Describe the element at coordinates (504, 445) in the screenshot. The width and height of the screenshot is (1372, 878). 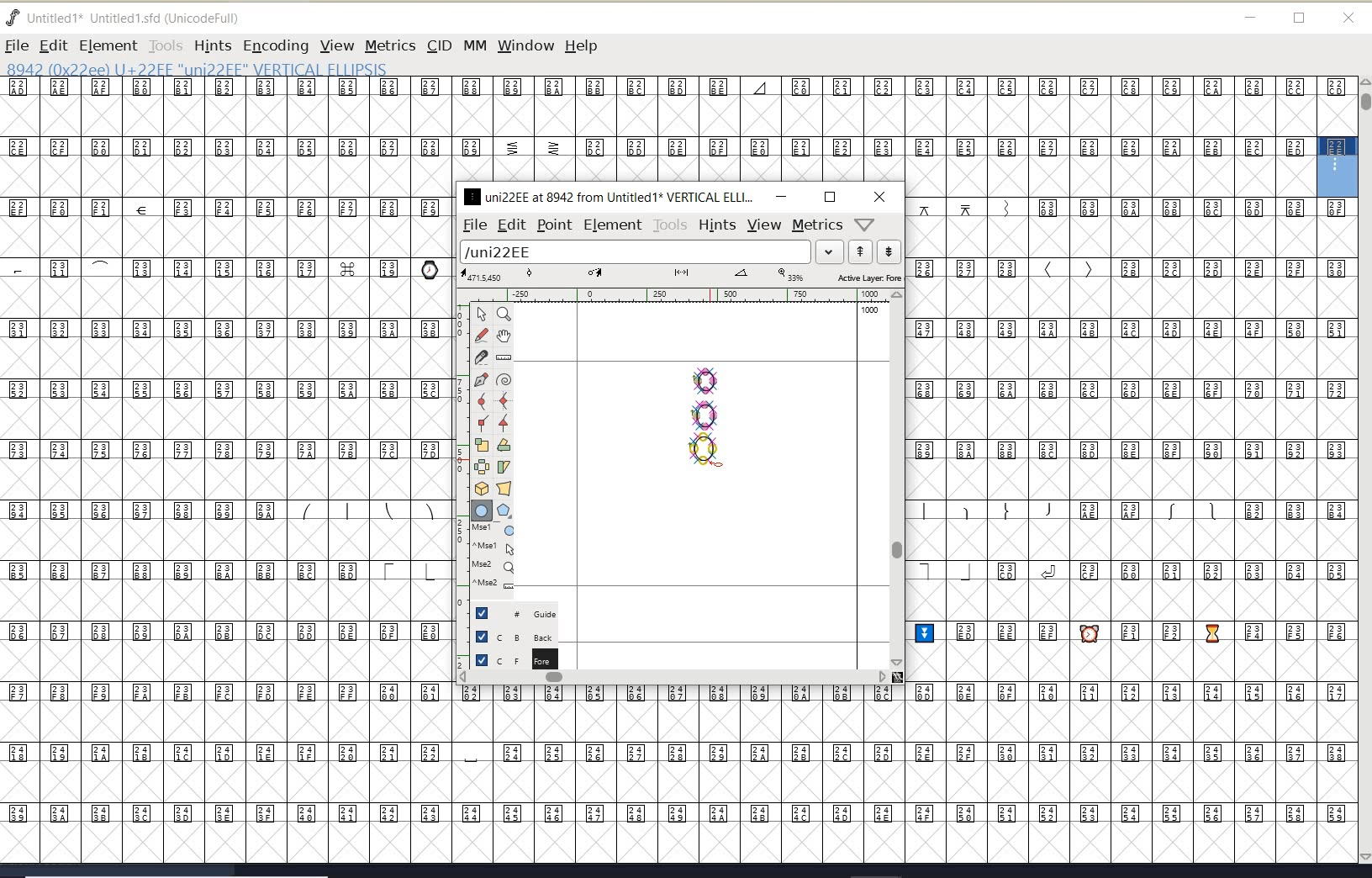
I see `rotate the selection` at that location.